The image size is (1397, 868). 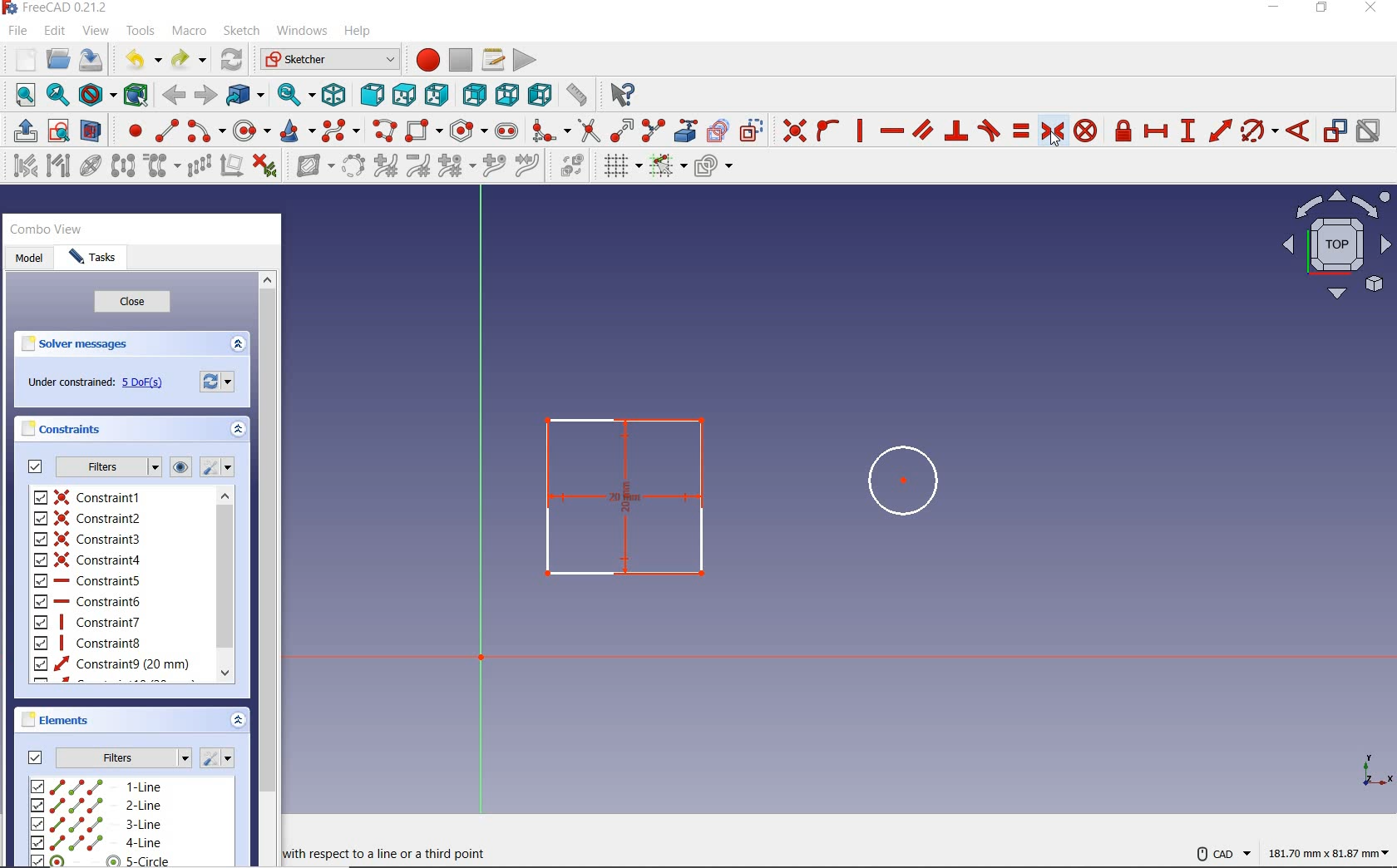 I want to click on macro recording, so click(x=426, y=58).